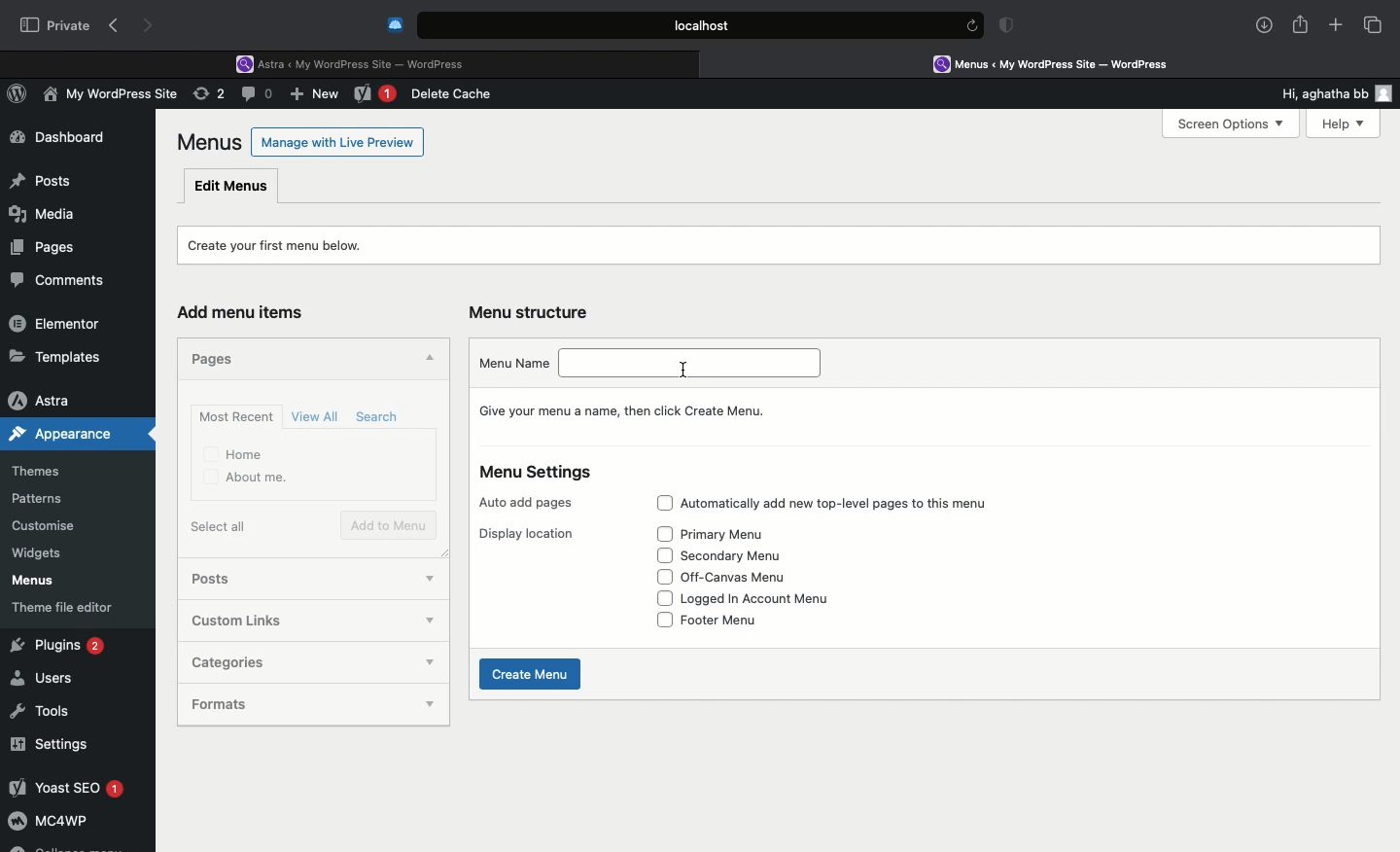 The height and width of the screenshot is (852, 1400). What do you see at coordinates (722, 619) in the screenshot?
I see `Footer menu` at bounding box center [722, 619].